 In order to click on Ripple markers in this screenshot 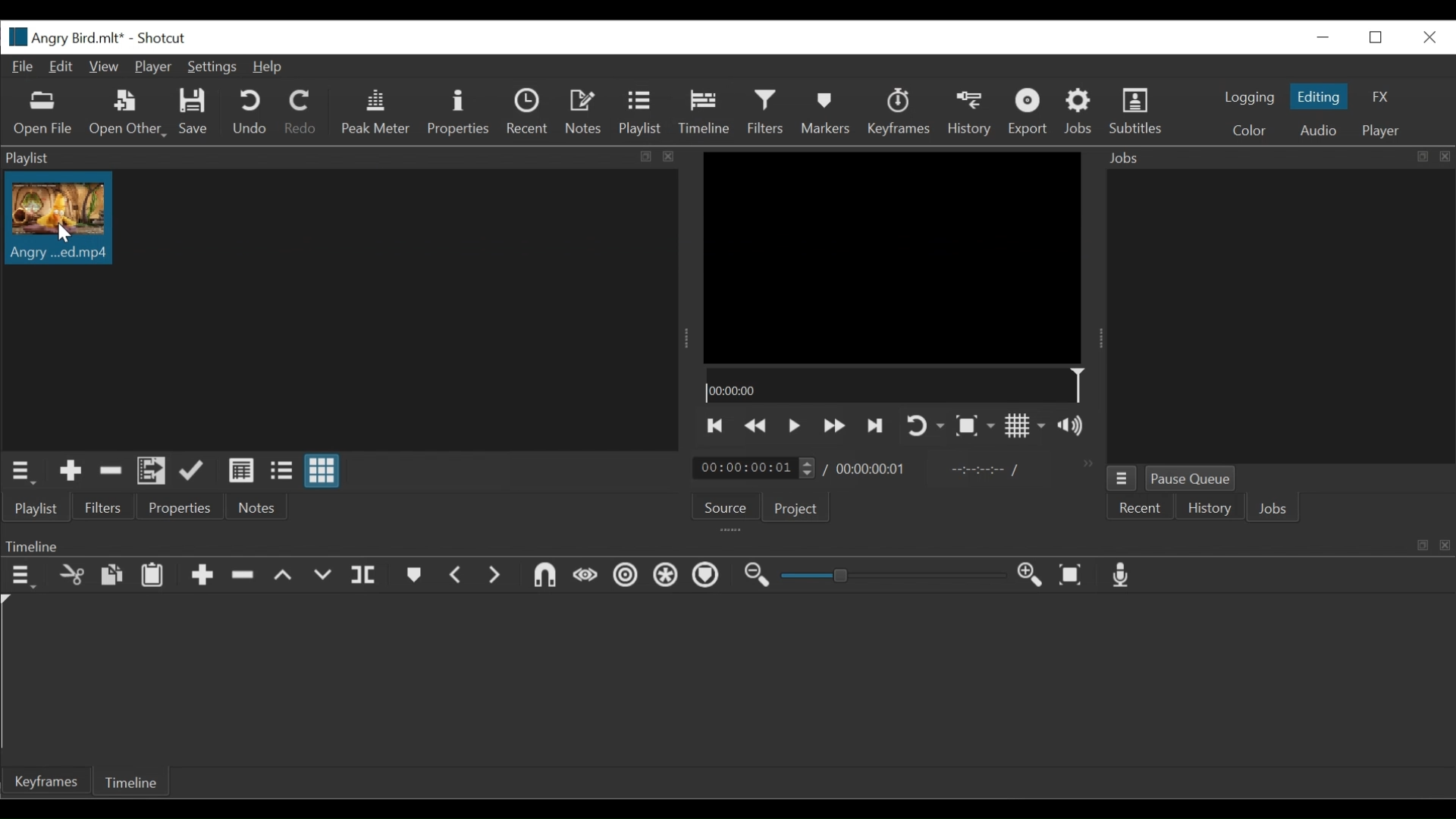, I will do `click(709, 576)`.